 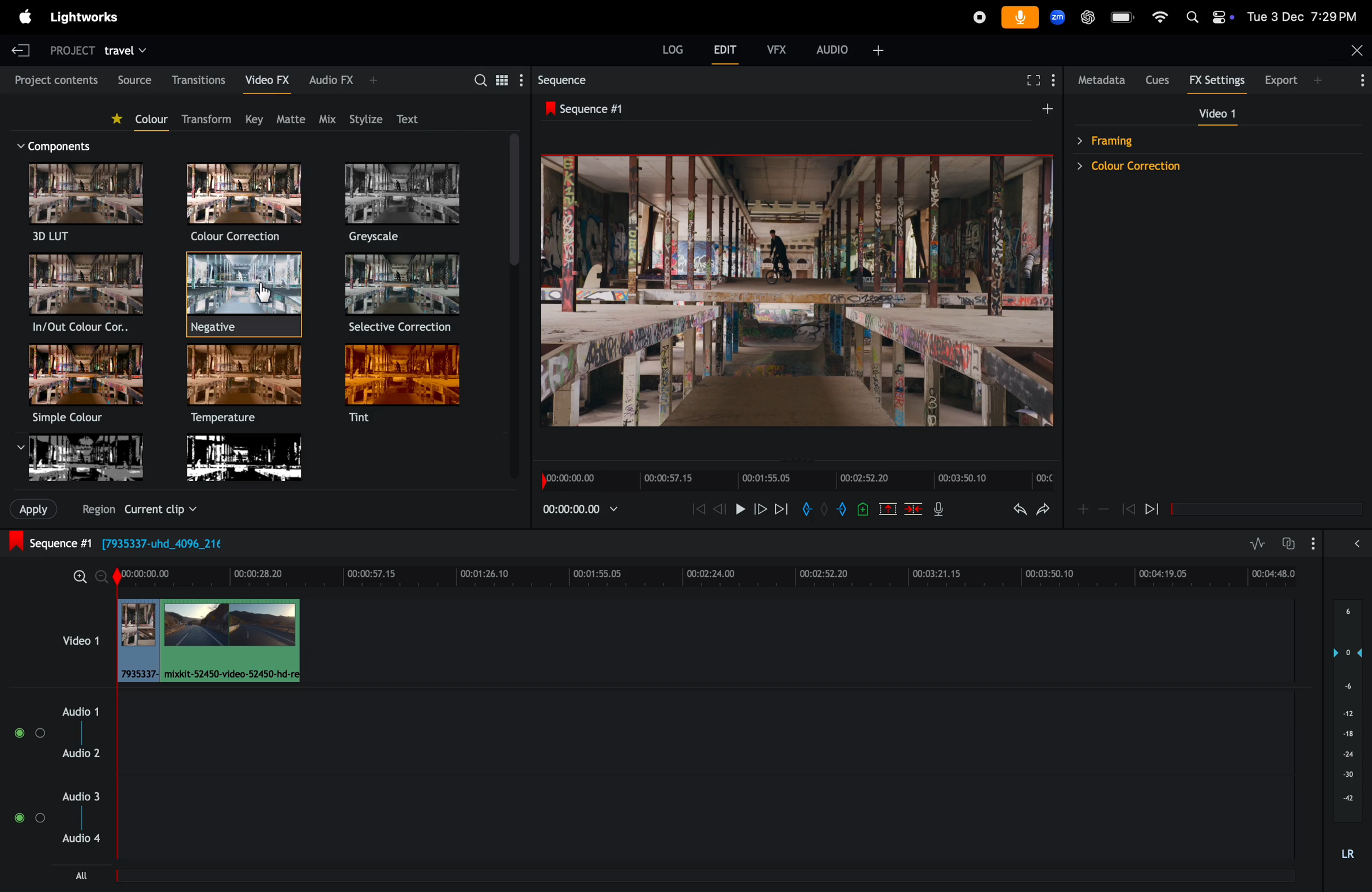 I want to click on 3D LUT, so click(x=84, y=206).